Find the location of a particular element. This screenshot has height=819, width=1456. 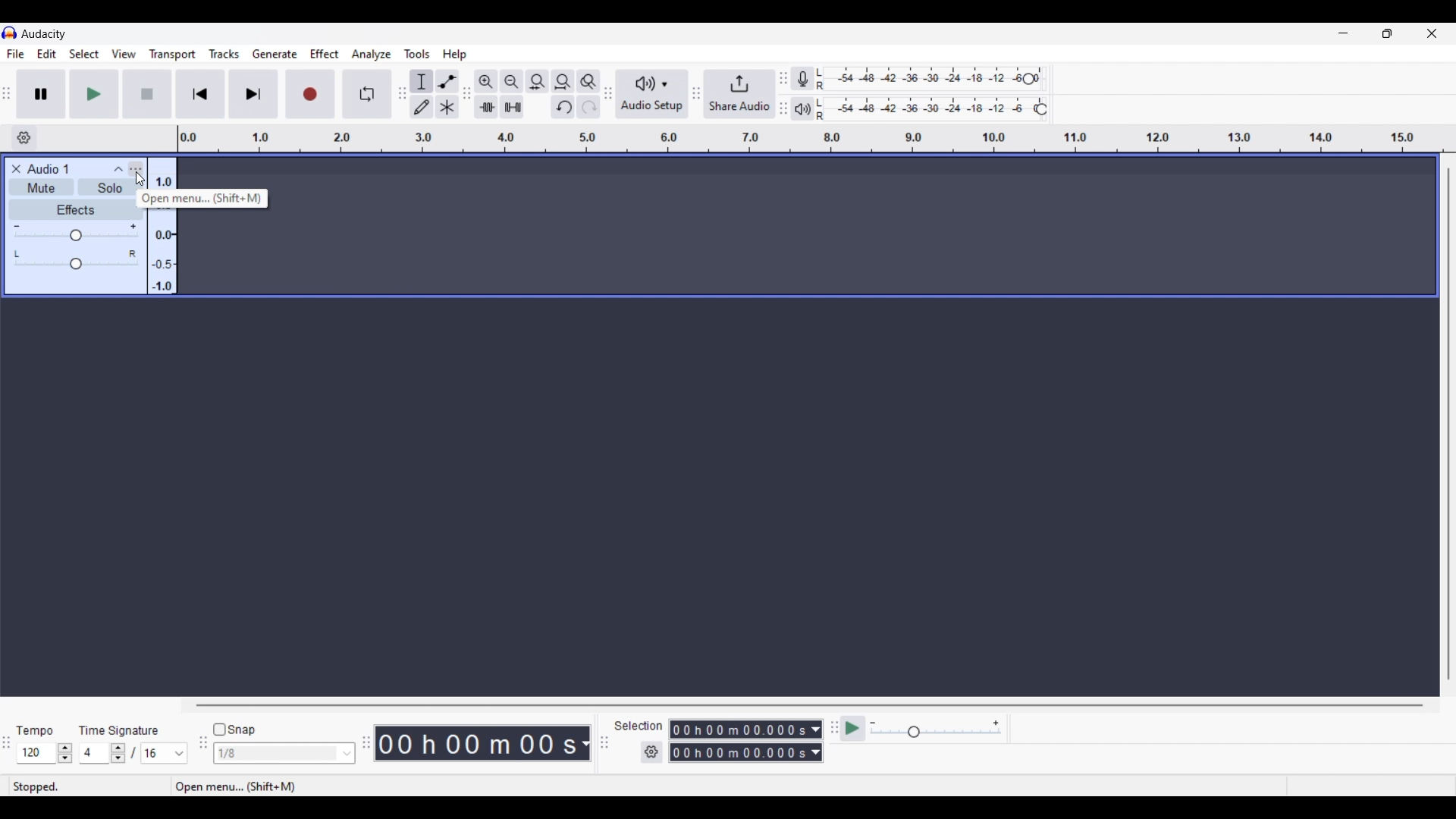

Pan extreme left is located at coordinates (16, 254).